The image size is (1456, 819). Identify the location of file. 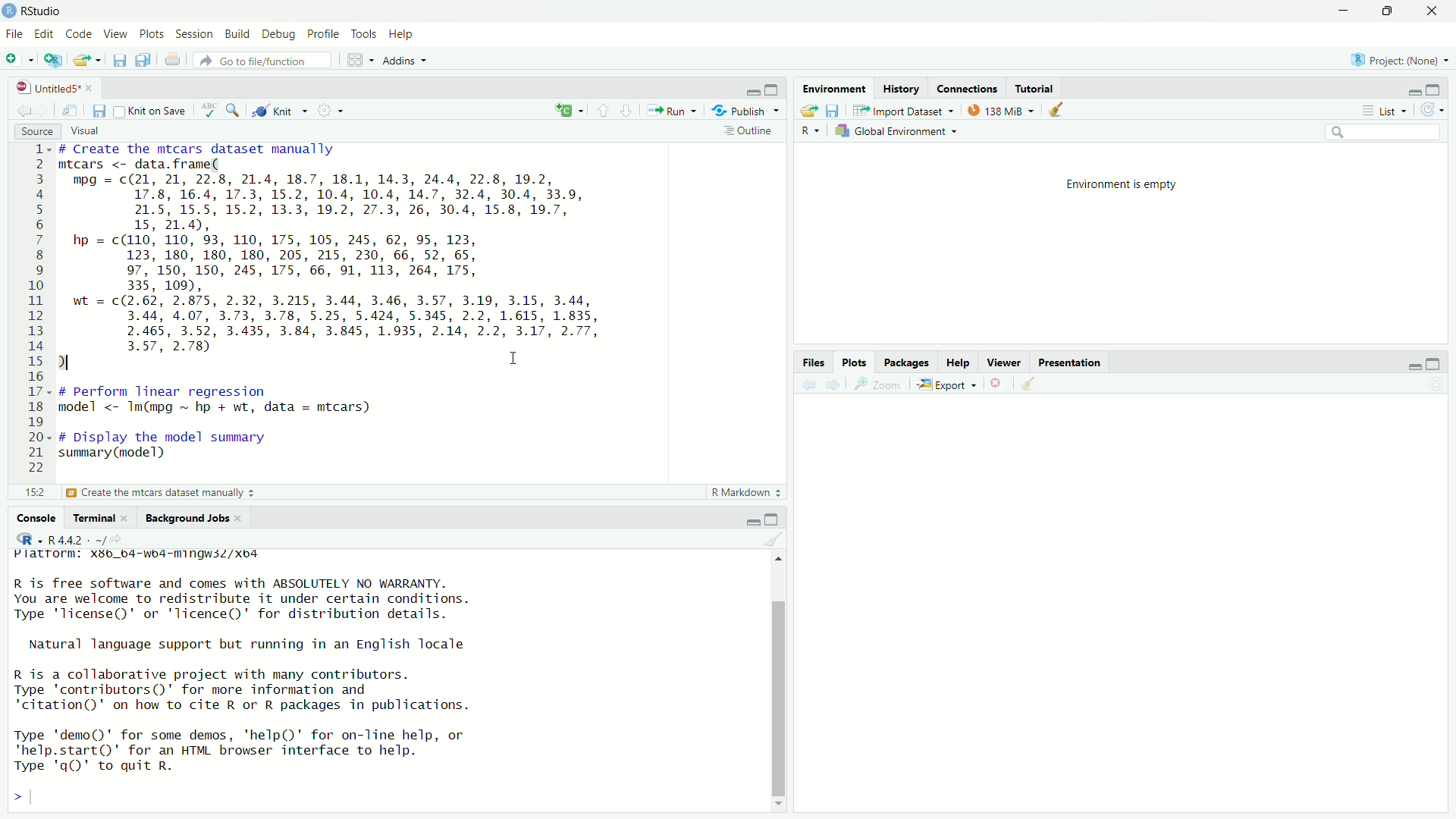
(13, 34).